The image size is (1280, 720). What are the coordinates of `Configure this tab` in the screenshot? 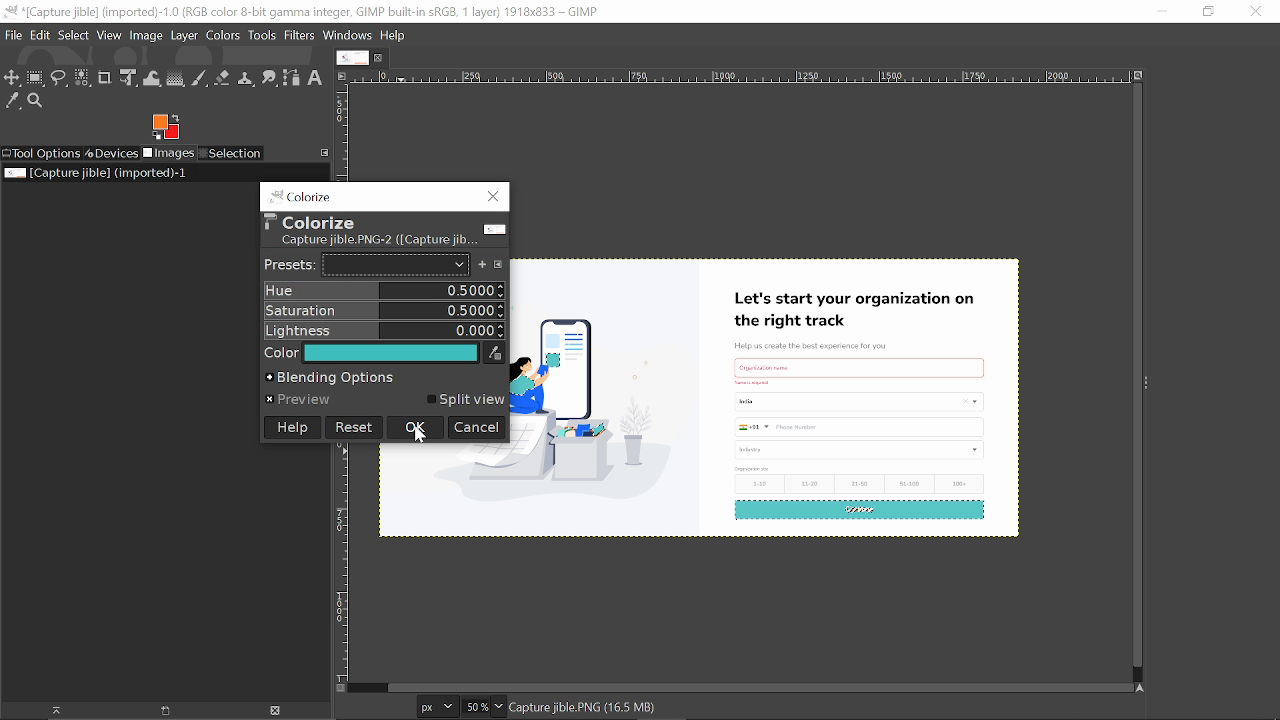 It's located at (325, 152).